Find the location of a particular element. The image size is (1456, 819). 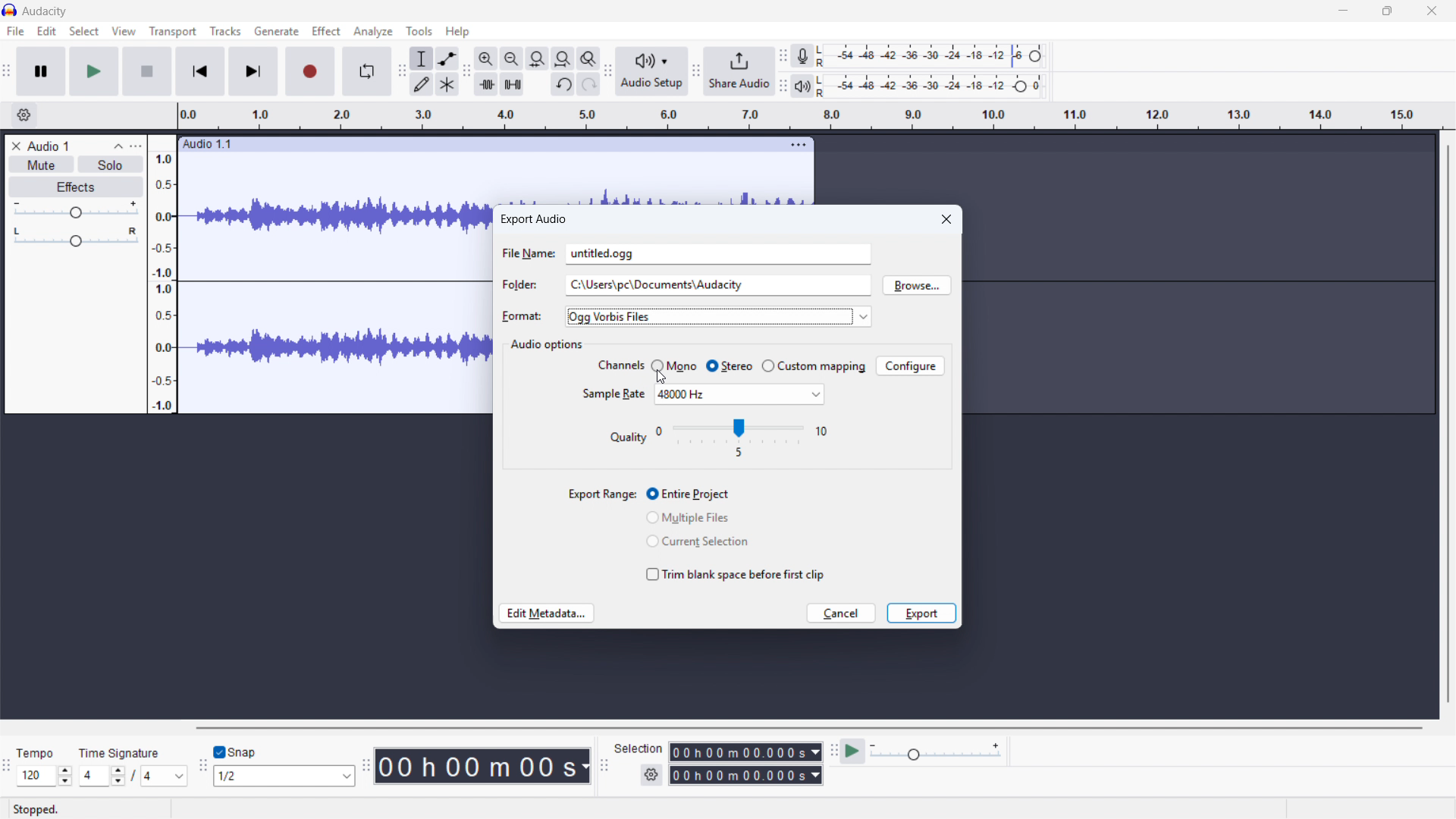

/ is located at coordinates (135, 775).